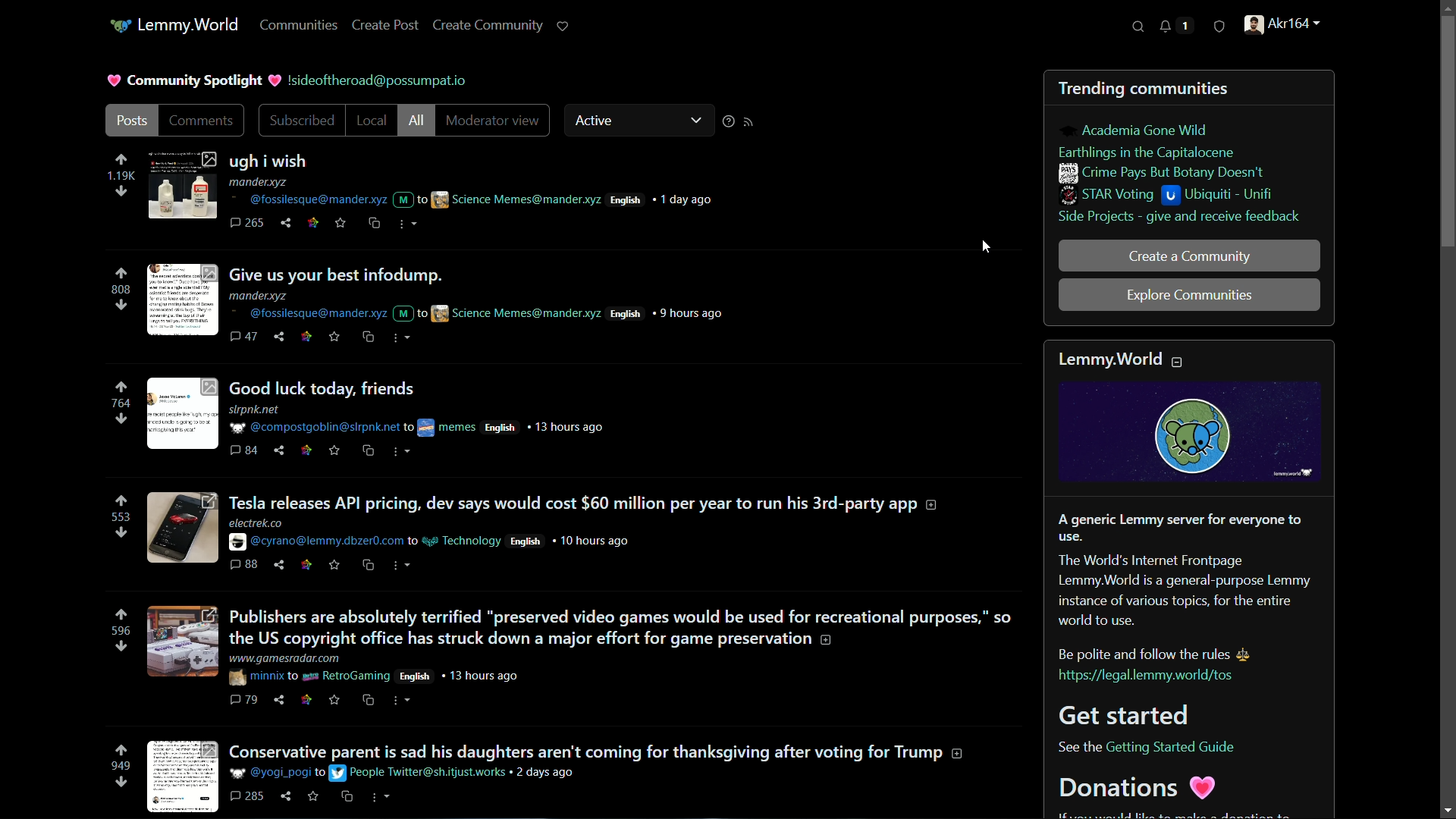  What do you see at coordinates (336, 340) in the screenshot?
I see `save` at bounding box center [336, 340].